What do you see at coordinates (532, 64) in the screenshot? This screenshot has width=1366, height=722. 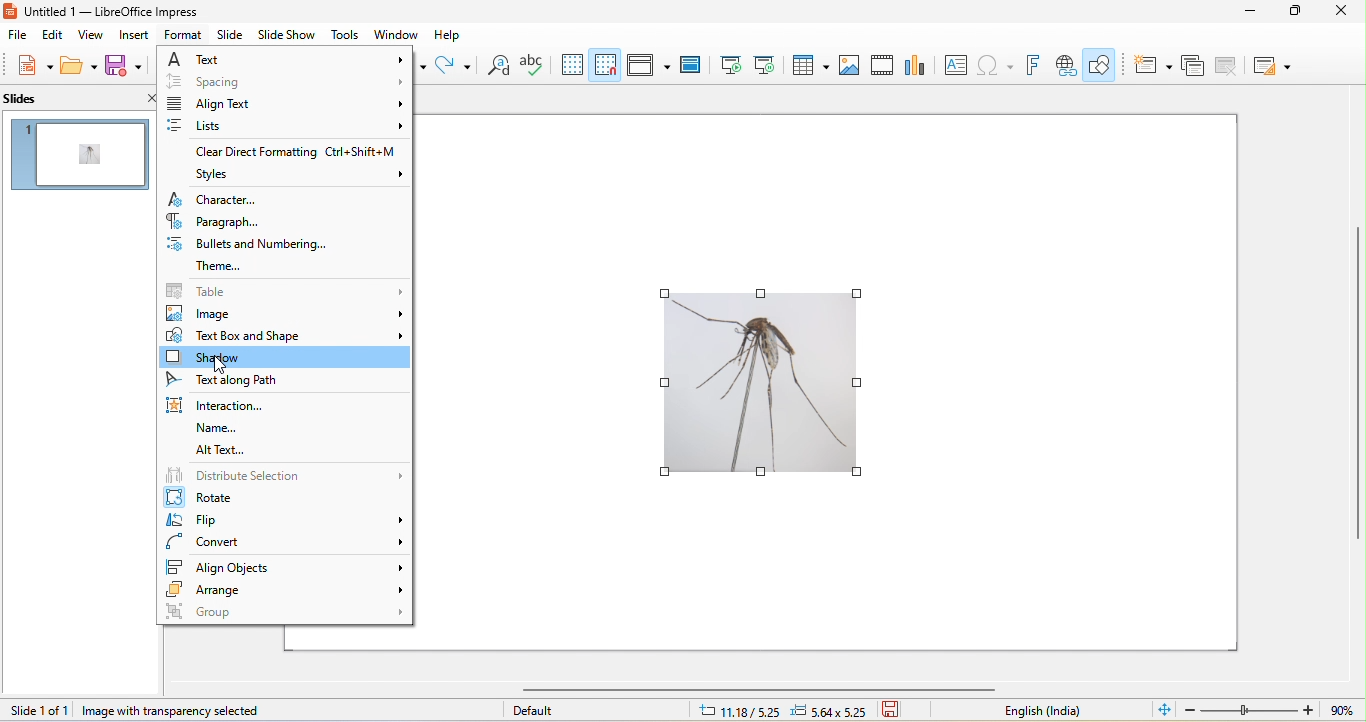 I see `spelling` at bounding box center [532, 64].